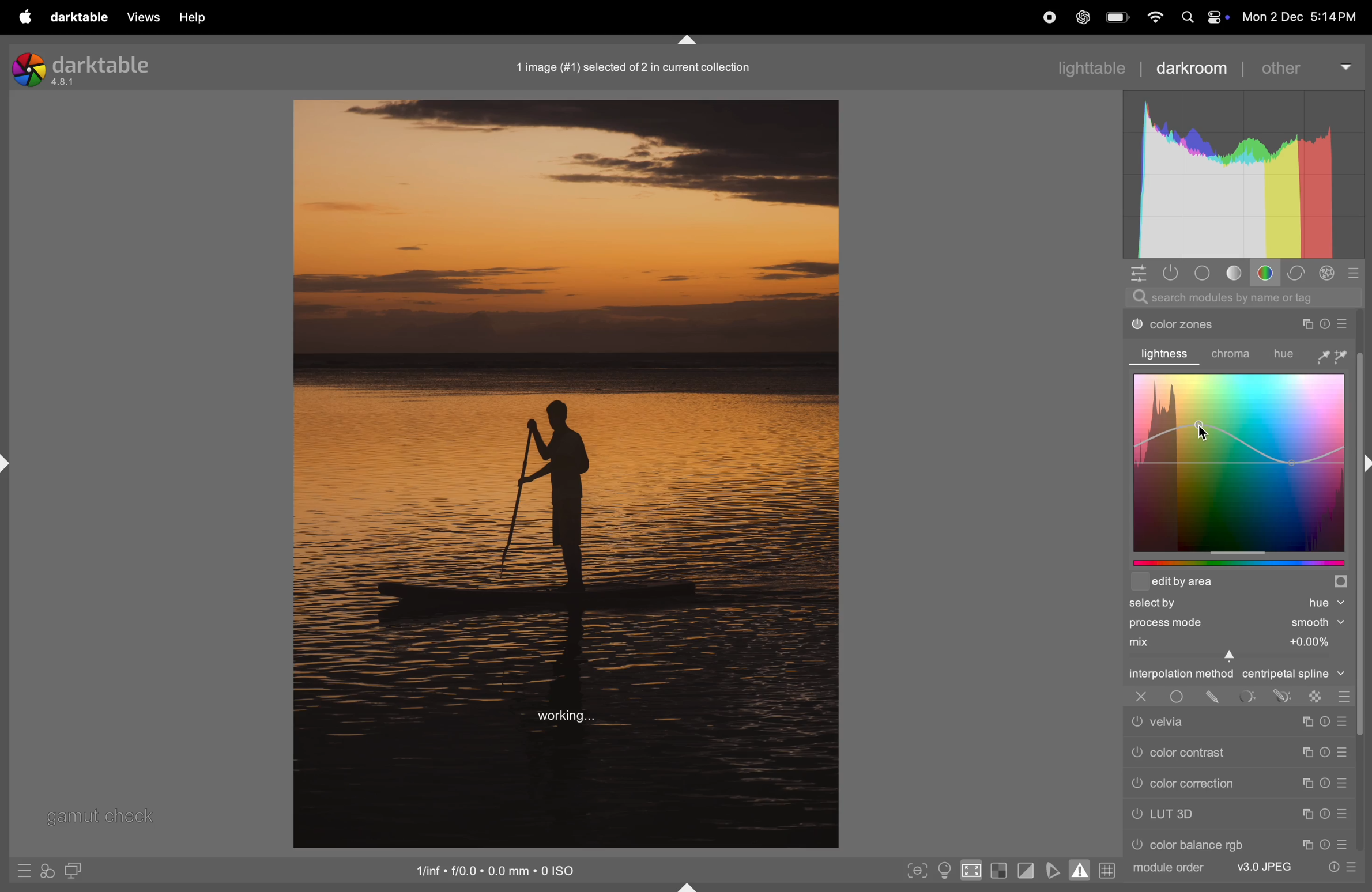 Image resolution: width=1372 pixels, height=892 pixels. Describe the element at coordinates (1333, 17) in the screenshot. I see `5:14PM` at that location.